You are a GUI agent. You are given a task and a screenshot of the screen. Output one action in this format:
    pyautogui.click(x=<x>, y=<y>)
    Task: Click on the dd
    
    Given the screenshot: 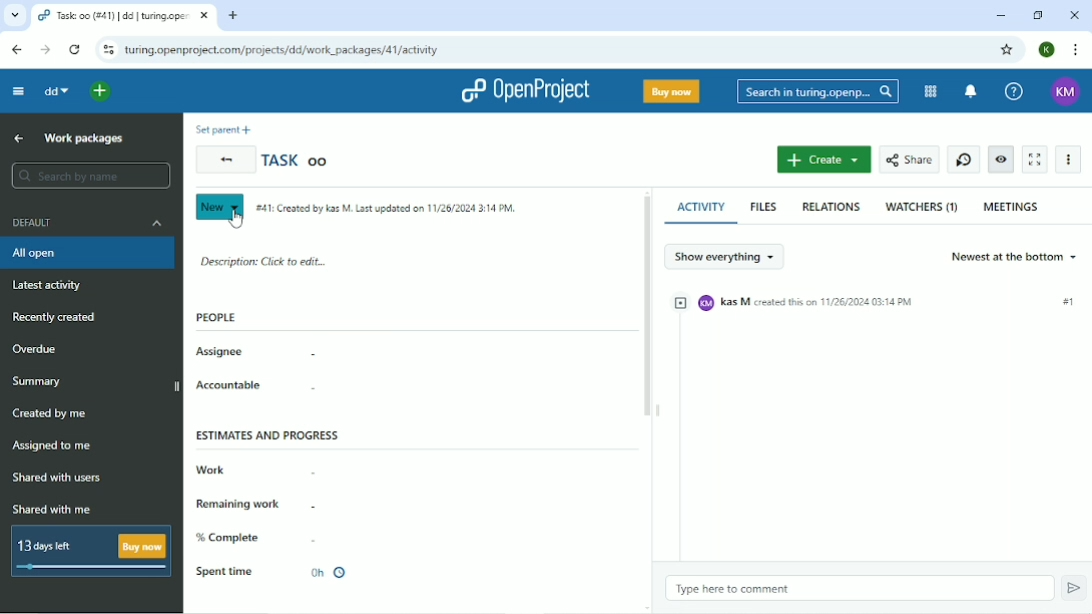 What is the action you would take?
    pyautogui.click(x=57, y=91)
    